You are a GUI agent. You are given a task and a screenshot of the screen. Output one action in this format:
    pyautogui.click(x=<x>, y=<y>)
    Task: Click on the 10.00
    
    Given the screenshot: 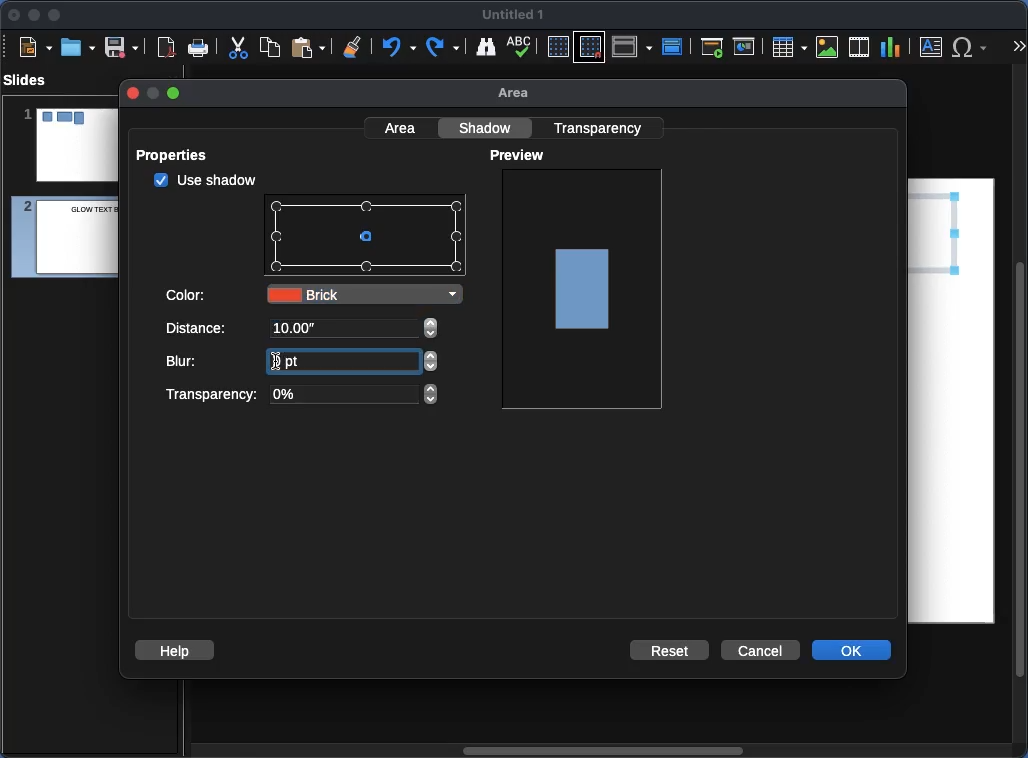 What is the action you would take?
    pyautogui.click(x=295, y=329)
    